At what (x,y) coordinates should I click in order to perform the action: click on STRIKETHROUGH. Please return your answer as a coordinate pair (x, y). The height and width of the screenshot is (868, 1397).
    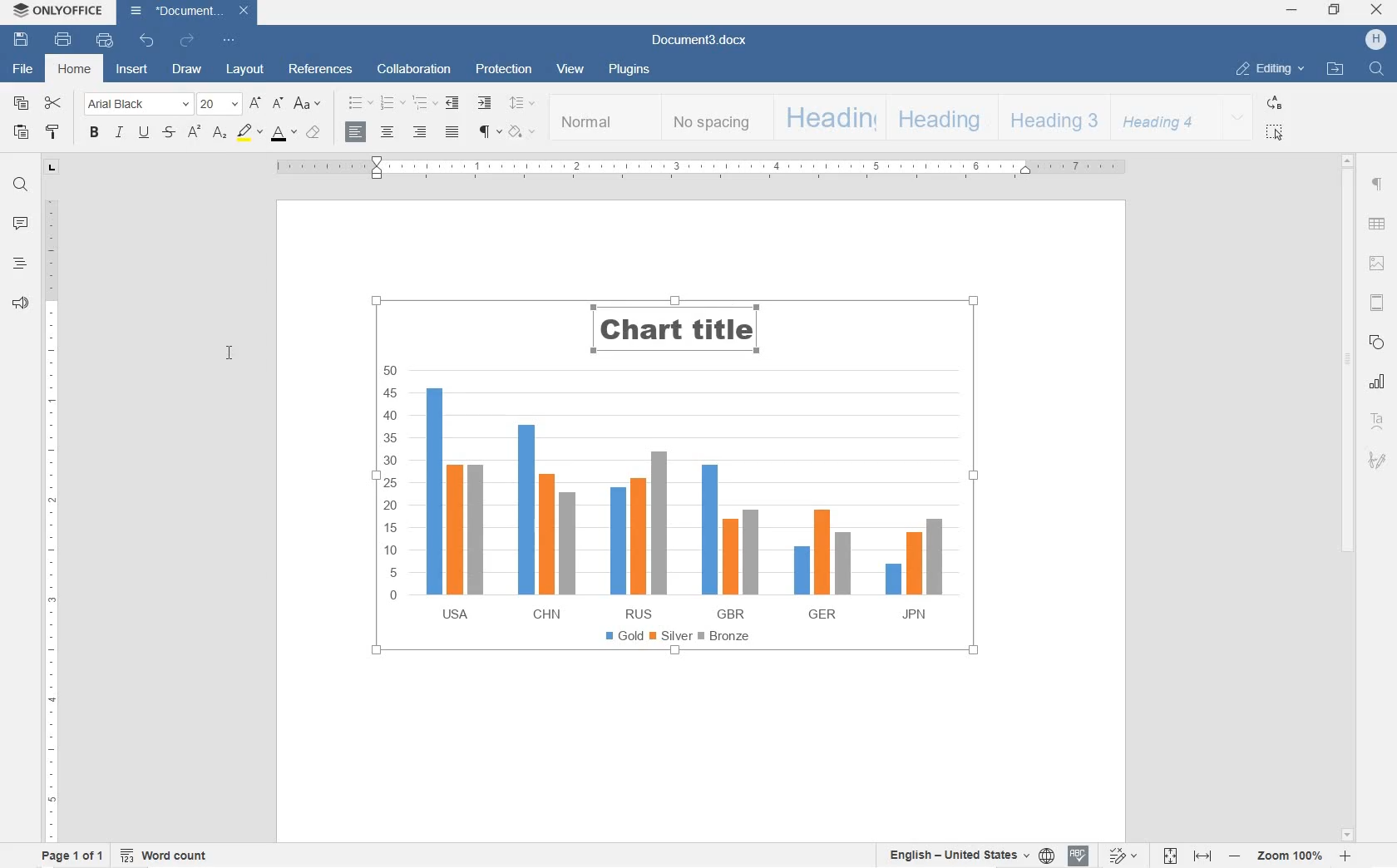
    Looking at the image, I should click on (170, 134).